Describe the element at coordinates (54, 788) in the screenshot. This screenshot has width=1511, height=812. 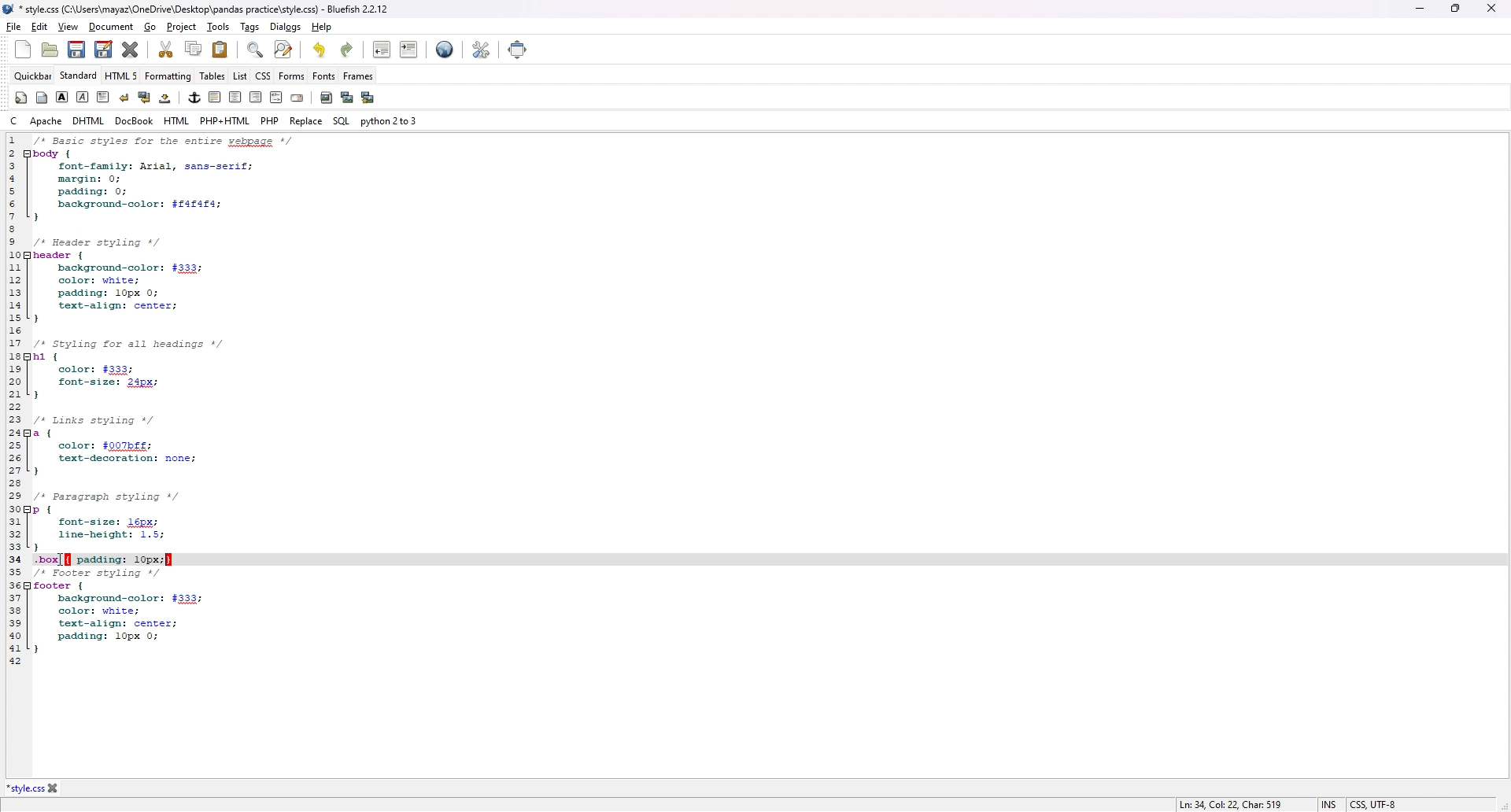
I see `close tab` at that location.